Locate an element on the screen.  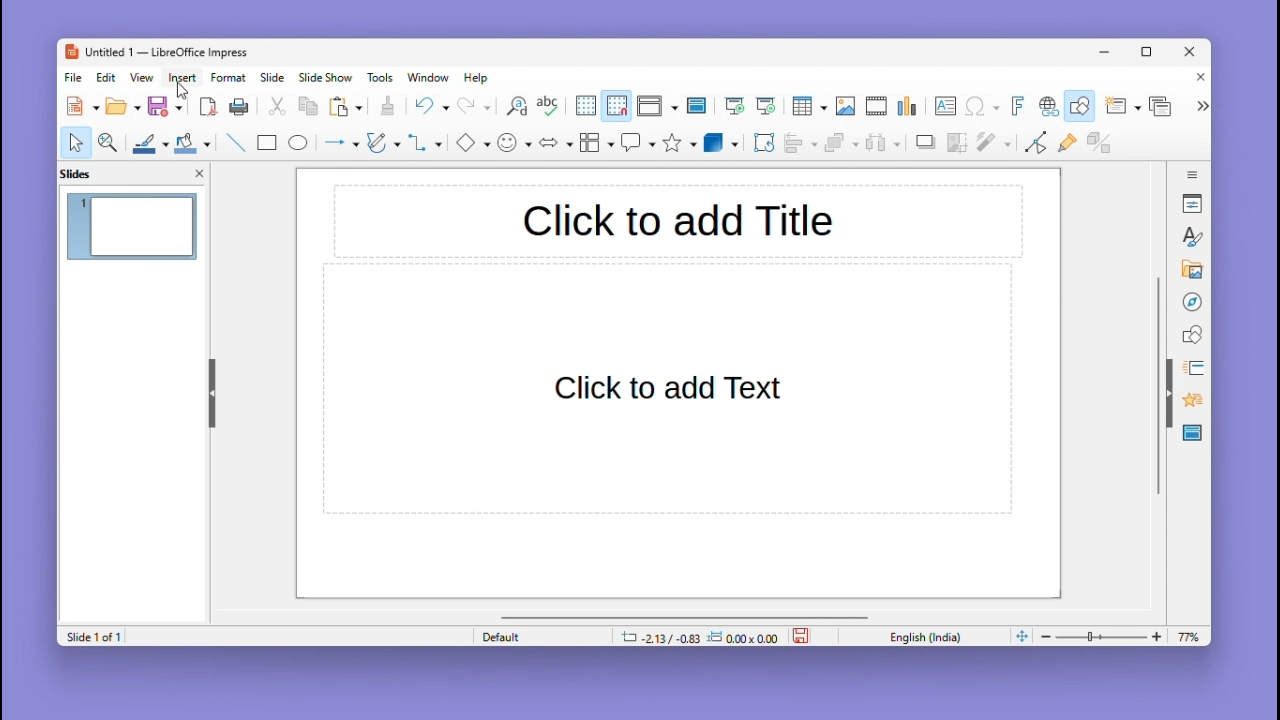
Align is located at coordinates (800, 143).